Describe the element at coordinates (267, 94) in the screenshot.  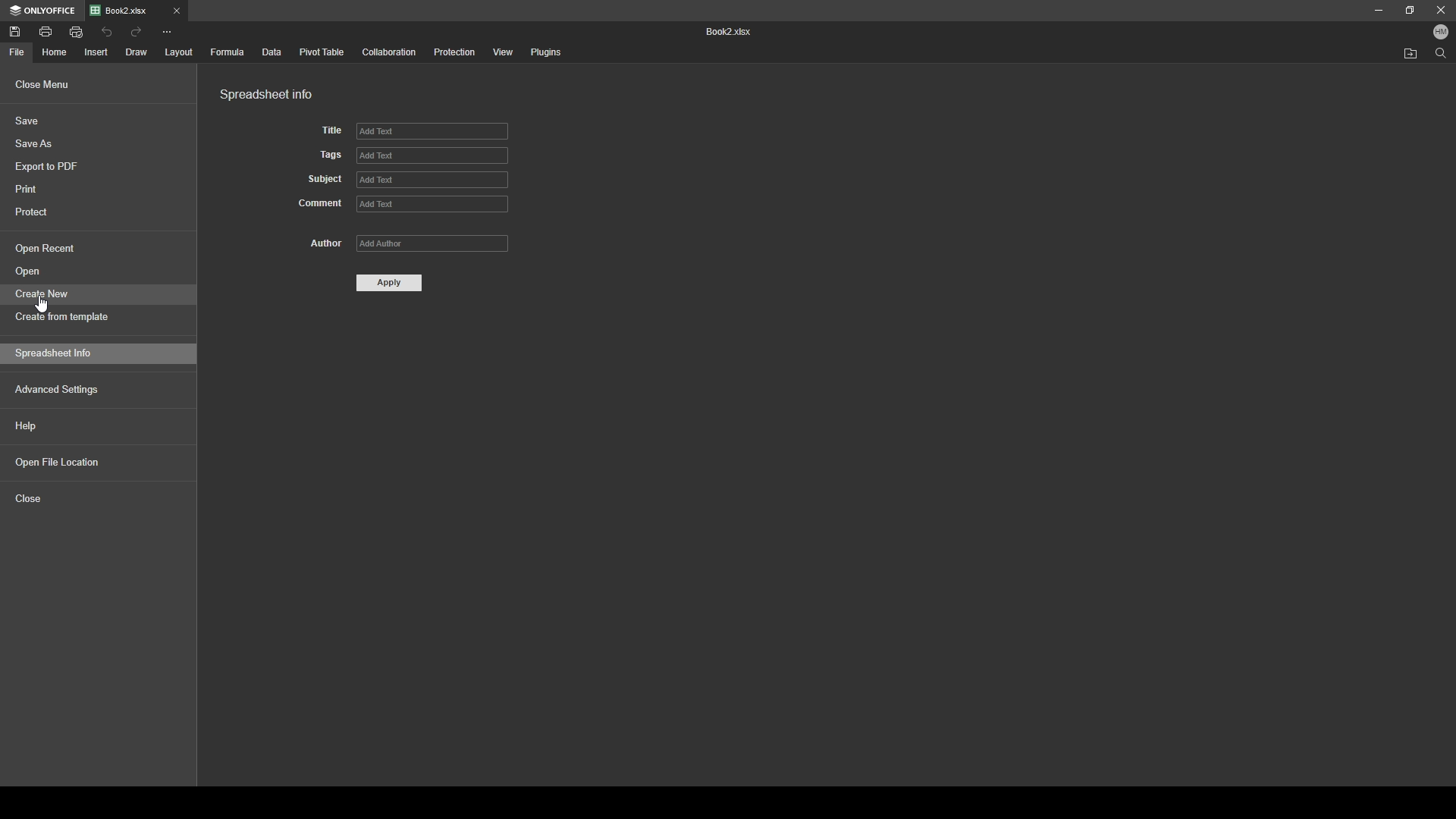
I see `spreadsheet info` at that location.